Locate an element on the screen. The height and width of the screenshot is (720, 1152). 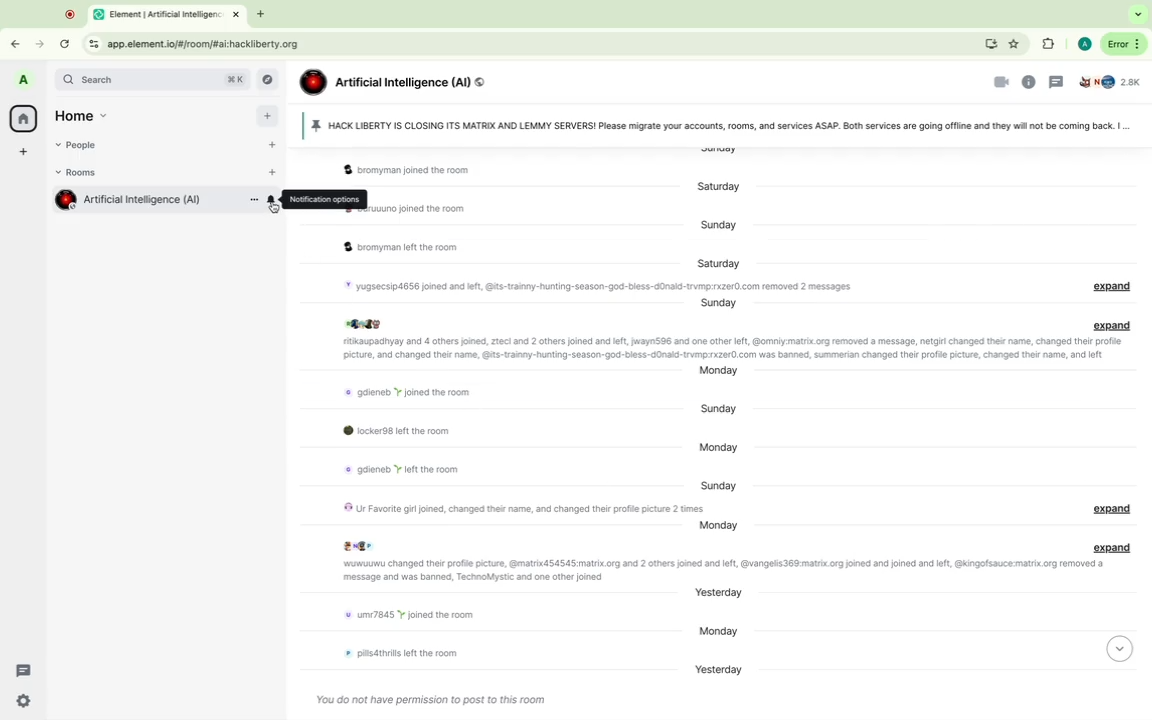
profile pictures is located at coordinates (366, 323).